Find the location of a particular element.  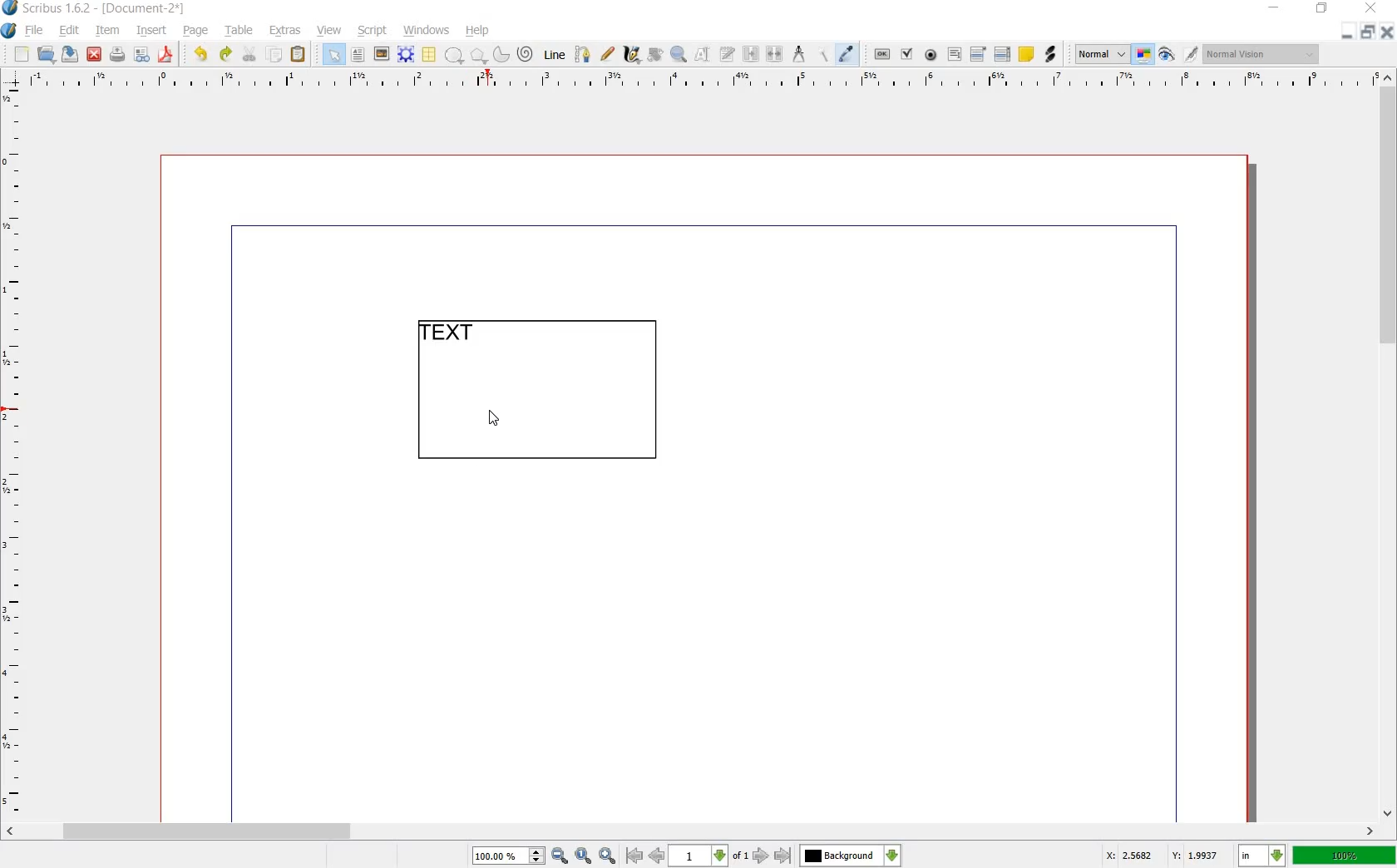

item is located at coordinates (106, 32).